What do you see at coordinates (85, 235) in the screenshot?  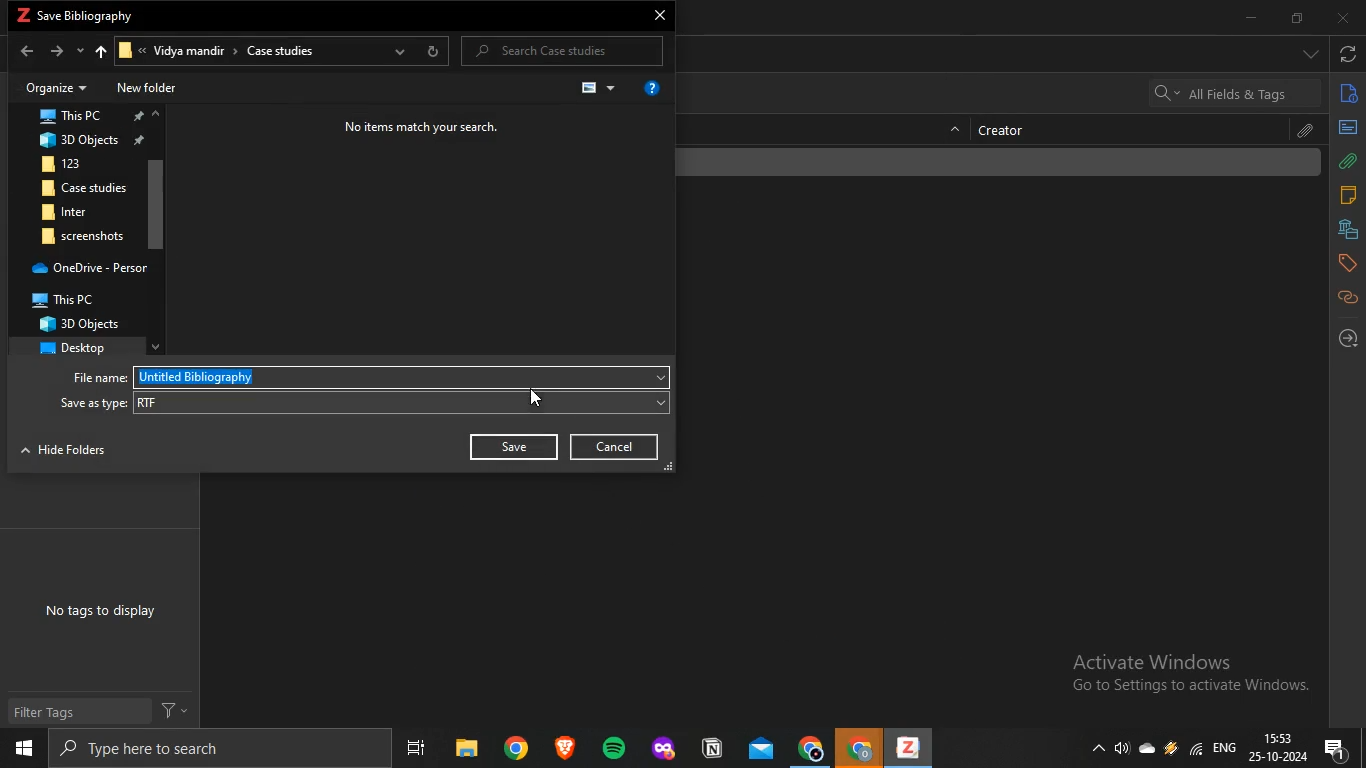 I see `screenshots` at bounding box center [85, 235].